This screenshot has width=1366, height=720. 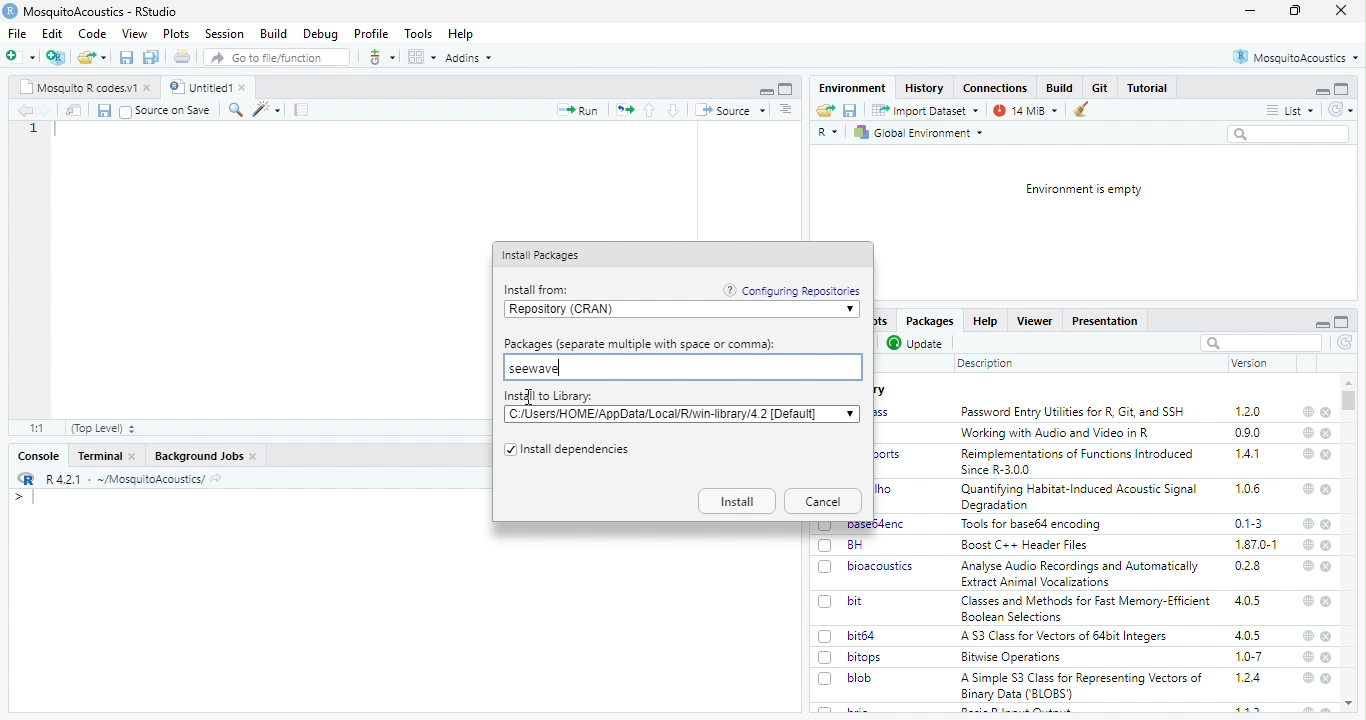 What do you see at coordinates (1085, 190) in the screenshot?
I see `Environment is empty` at bounding box center [1085, 190].